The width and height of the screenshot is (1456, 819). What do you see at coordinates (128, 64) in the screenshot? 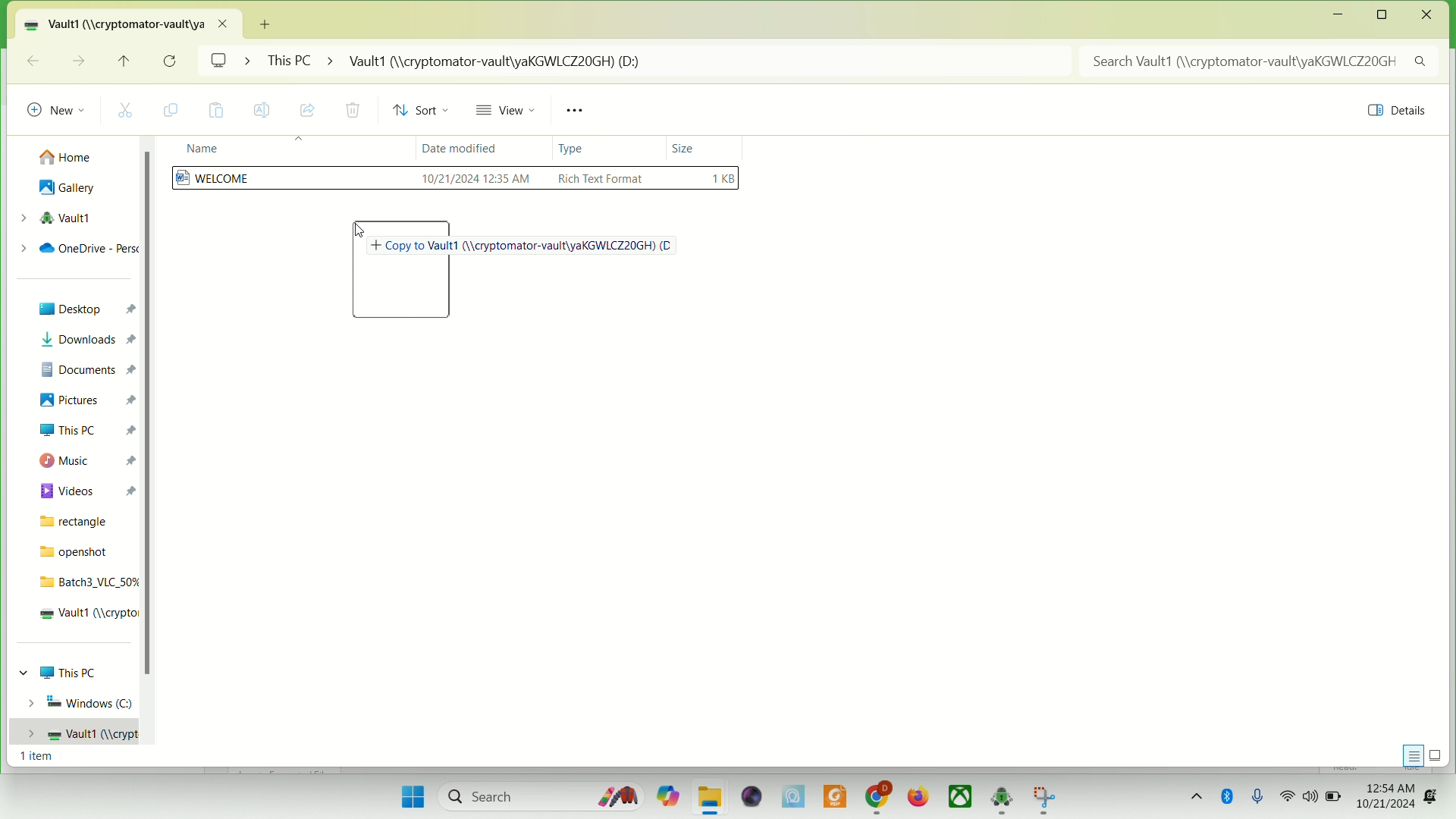
I see `up to` at bounding box center [128, 64].